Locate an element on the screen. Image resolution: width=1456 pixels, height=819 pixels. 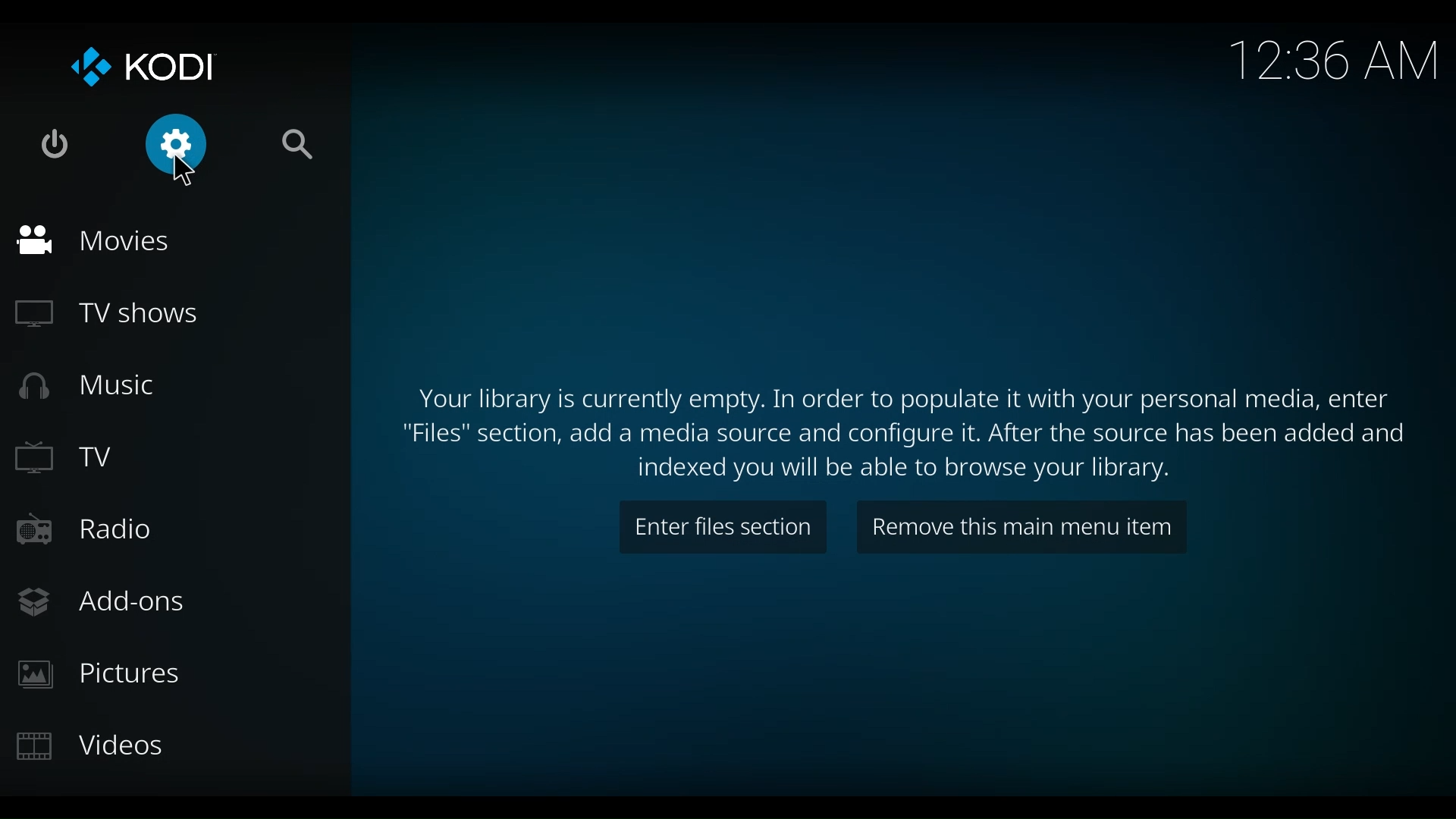
Time is located at coordinates (1332, 57).